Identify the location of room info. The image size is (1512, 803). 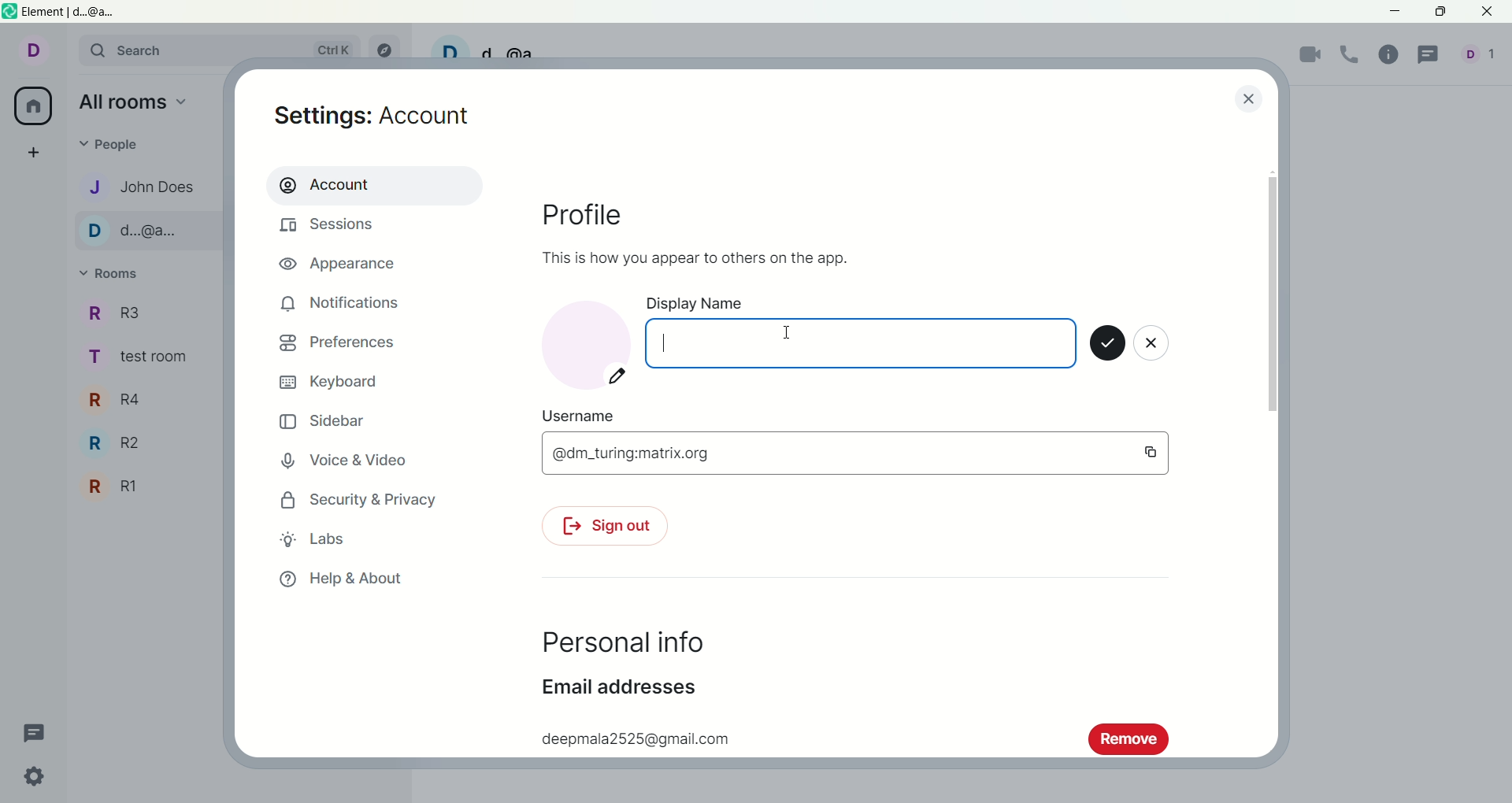
(1393, 54).